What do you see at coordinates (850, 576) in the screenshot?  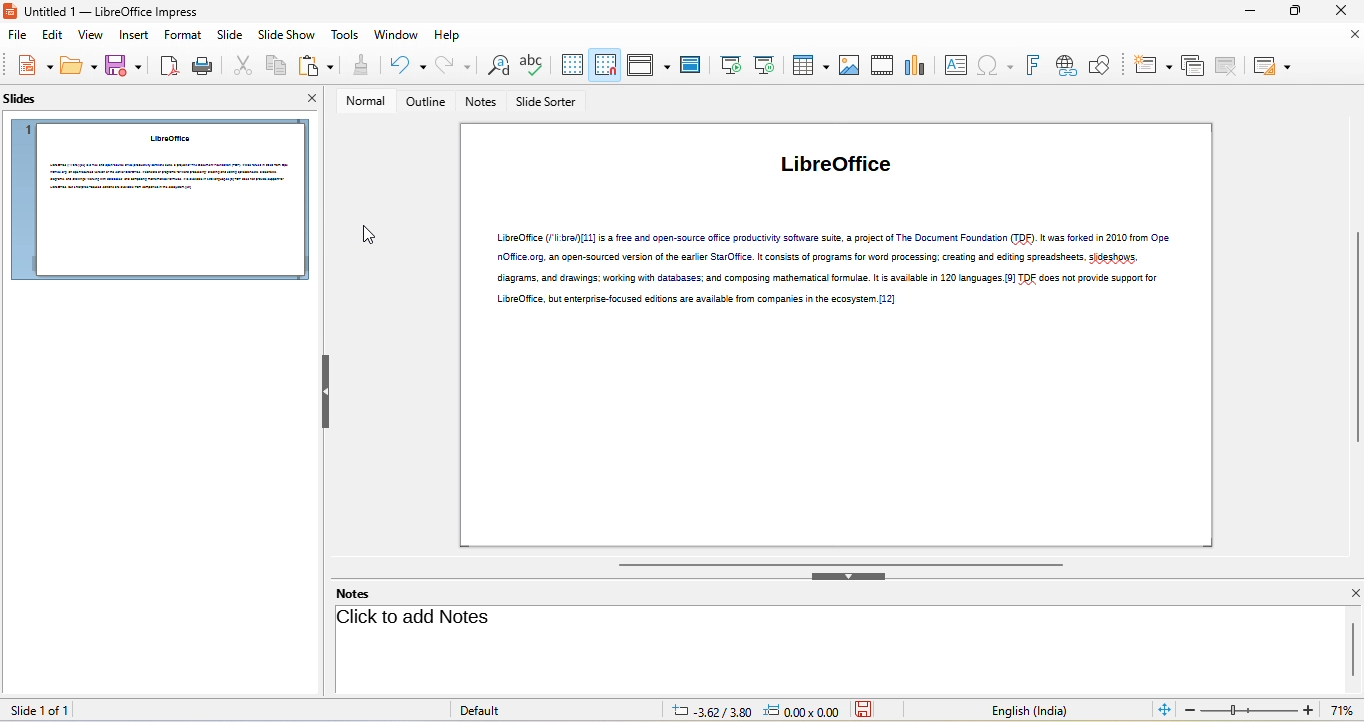 I see `hide bottom sidebar` at bounding box center [850, 576].